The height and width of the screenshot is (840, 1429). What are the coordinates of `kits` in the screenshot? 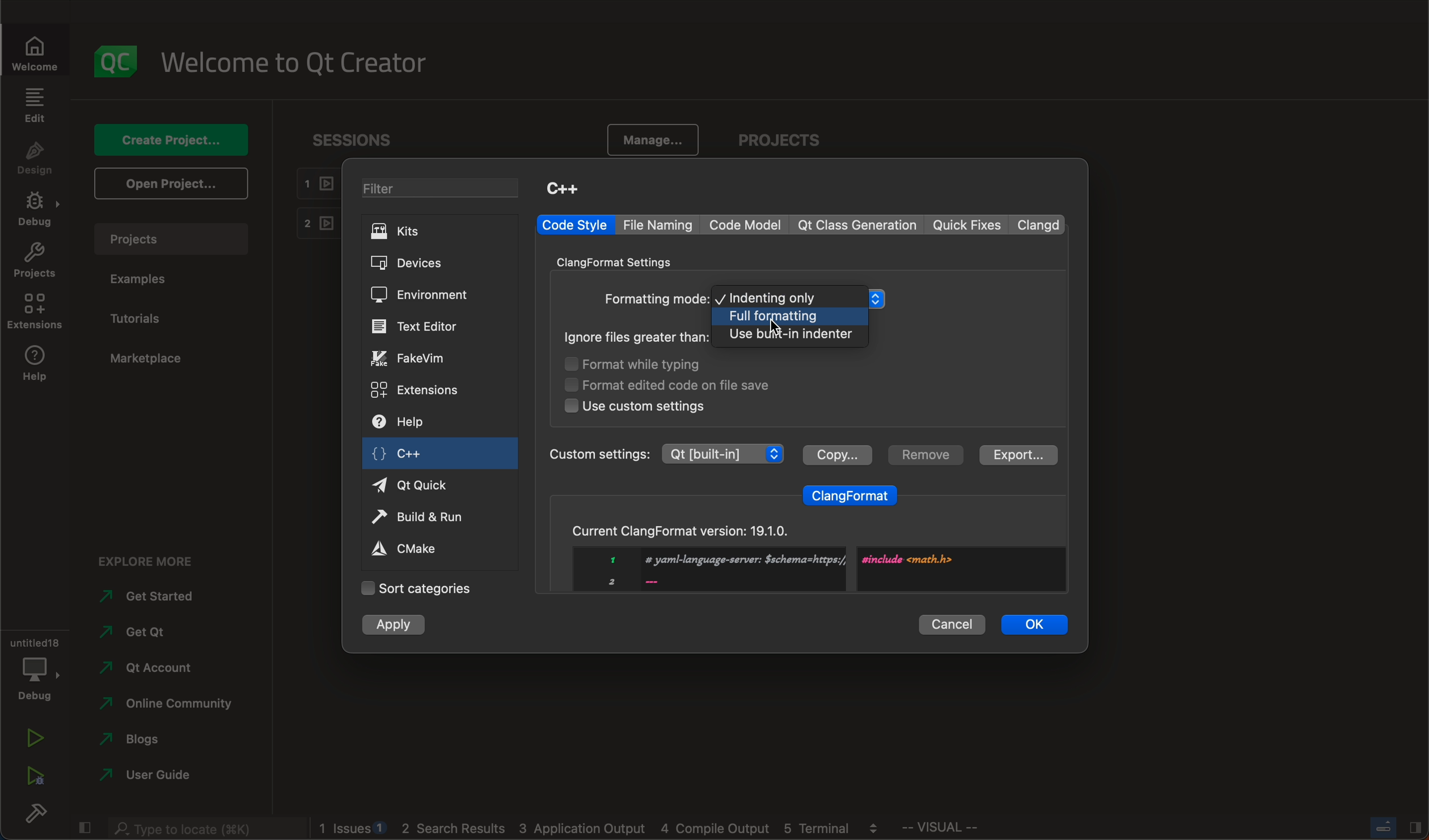 It's located at (438, 231).